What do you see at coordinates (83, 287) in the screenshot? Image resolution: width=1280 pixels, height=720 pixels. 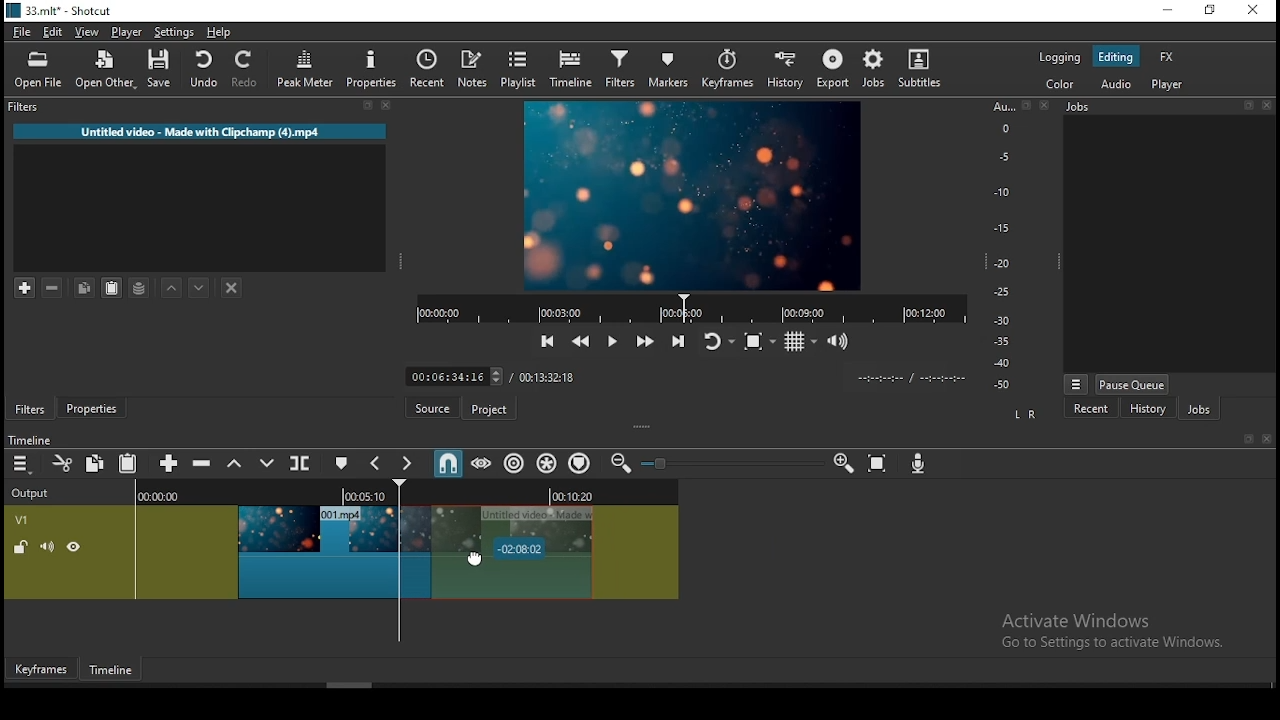 I see `copy selected filter` at bounding box center [83, 287].